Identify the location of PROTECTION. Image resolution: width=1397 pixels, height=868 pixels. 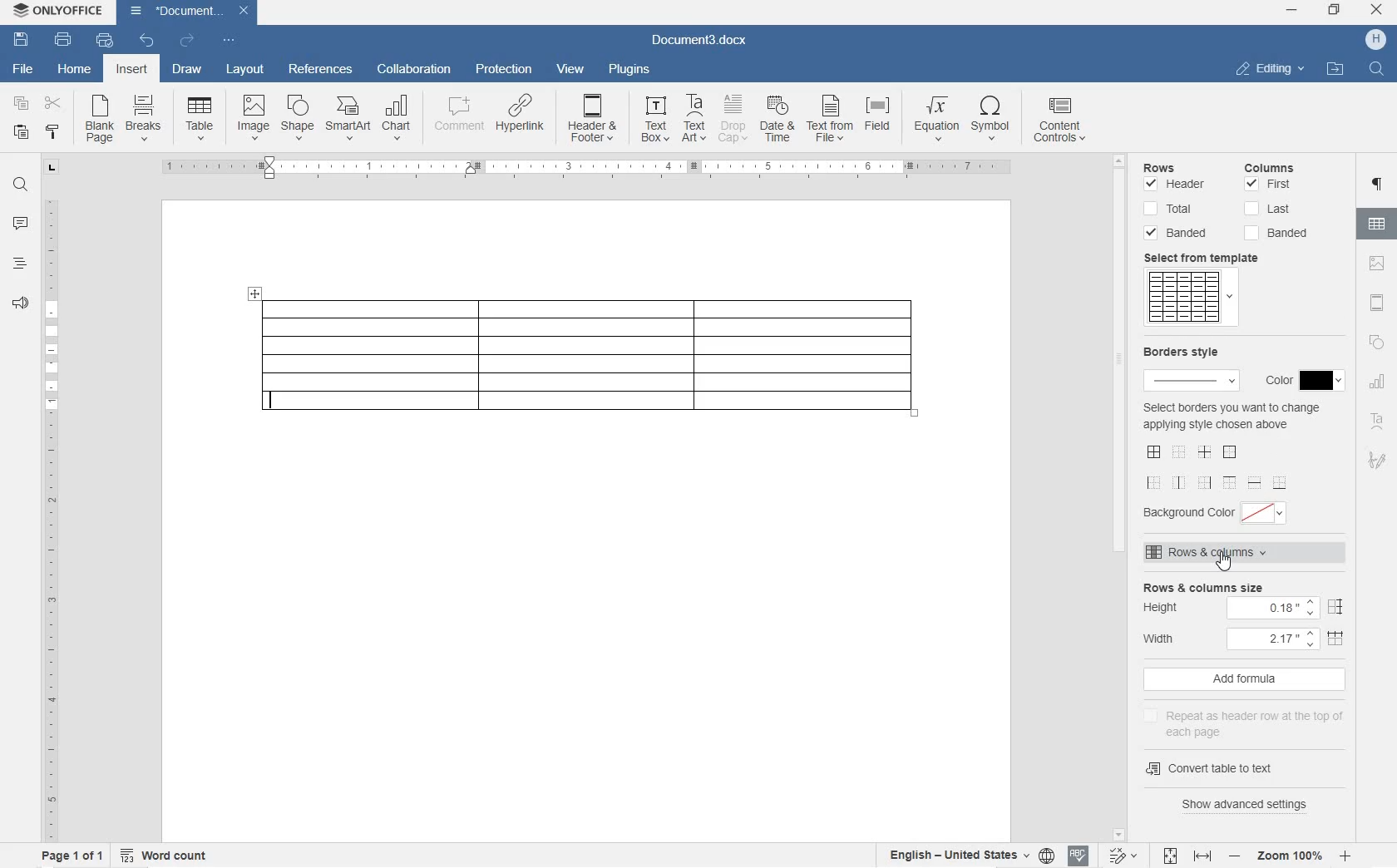
(506, 70).